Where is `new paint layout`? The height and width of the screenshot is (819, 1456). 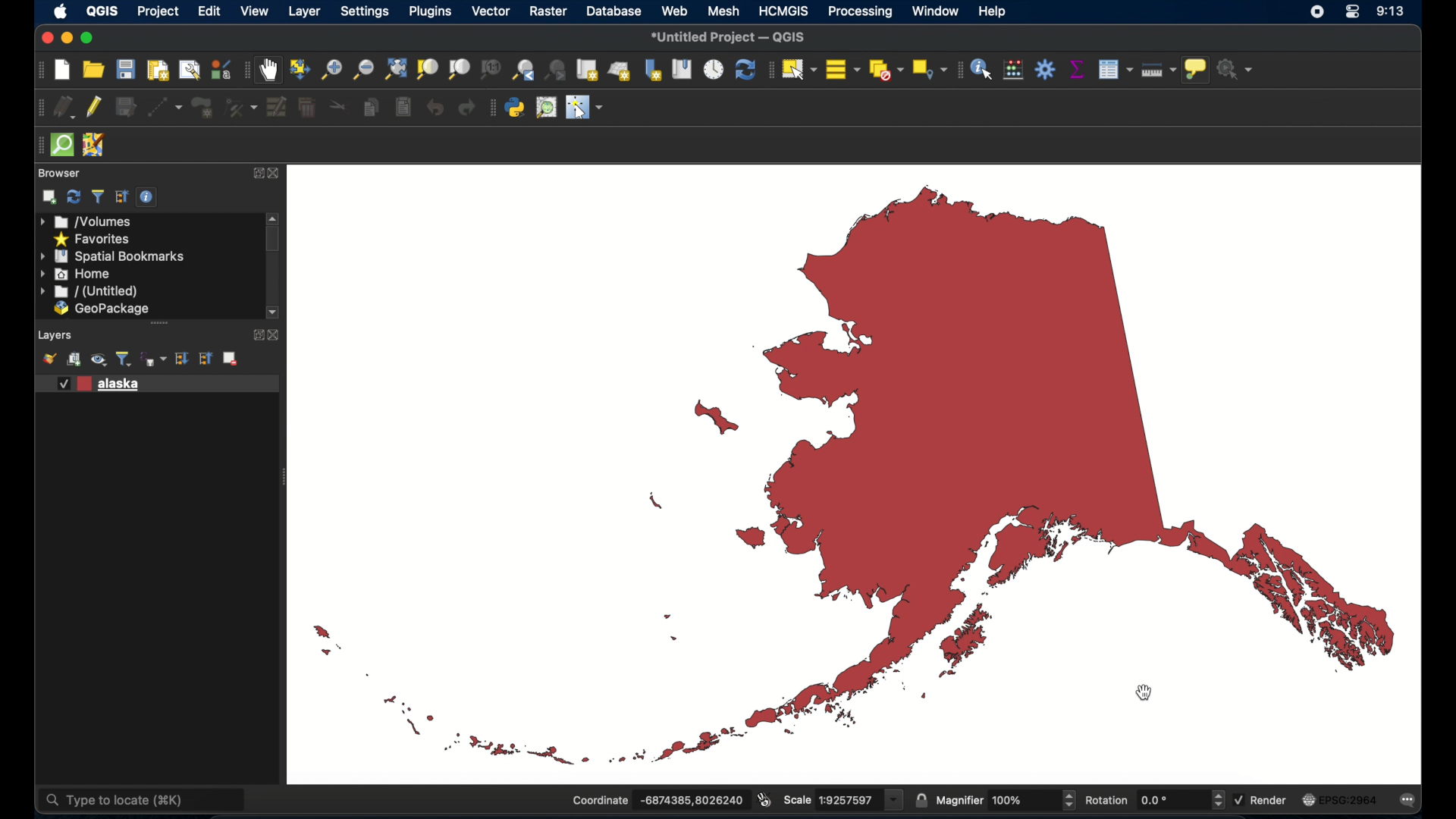 new paint layout is located at coordinates (158, 69).